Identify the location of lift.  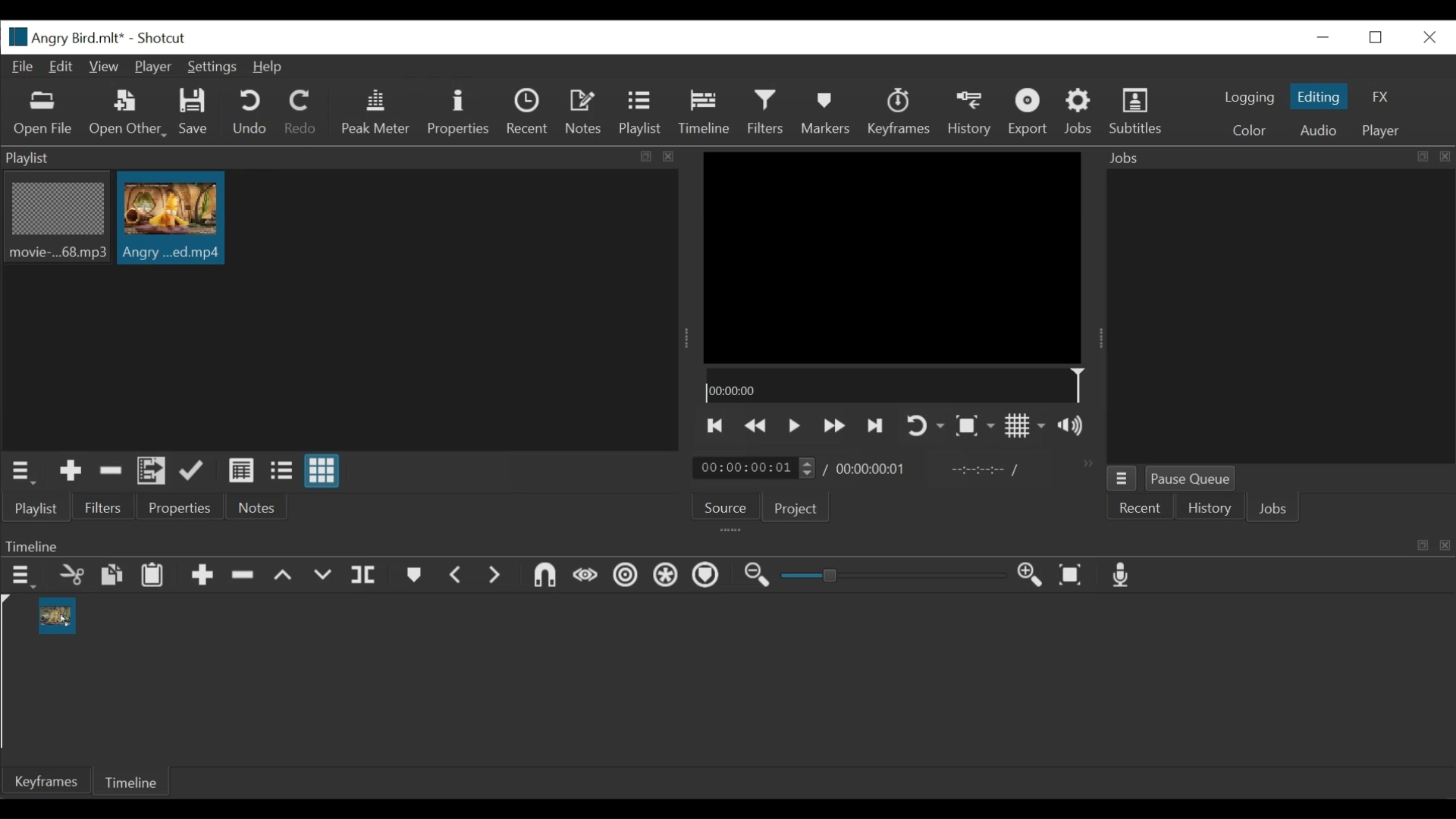
(284, 576).